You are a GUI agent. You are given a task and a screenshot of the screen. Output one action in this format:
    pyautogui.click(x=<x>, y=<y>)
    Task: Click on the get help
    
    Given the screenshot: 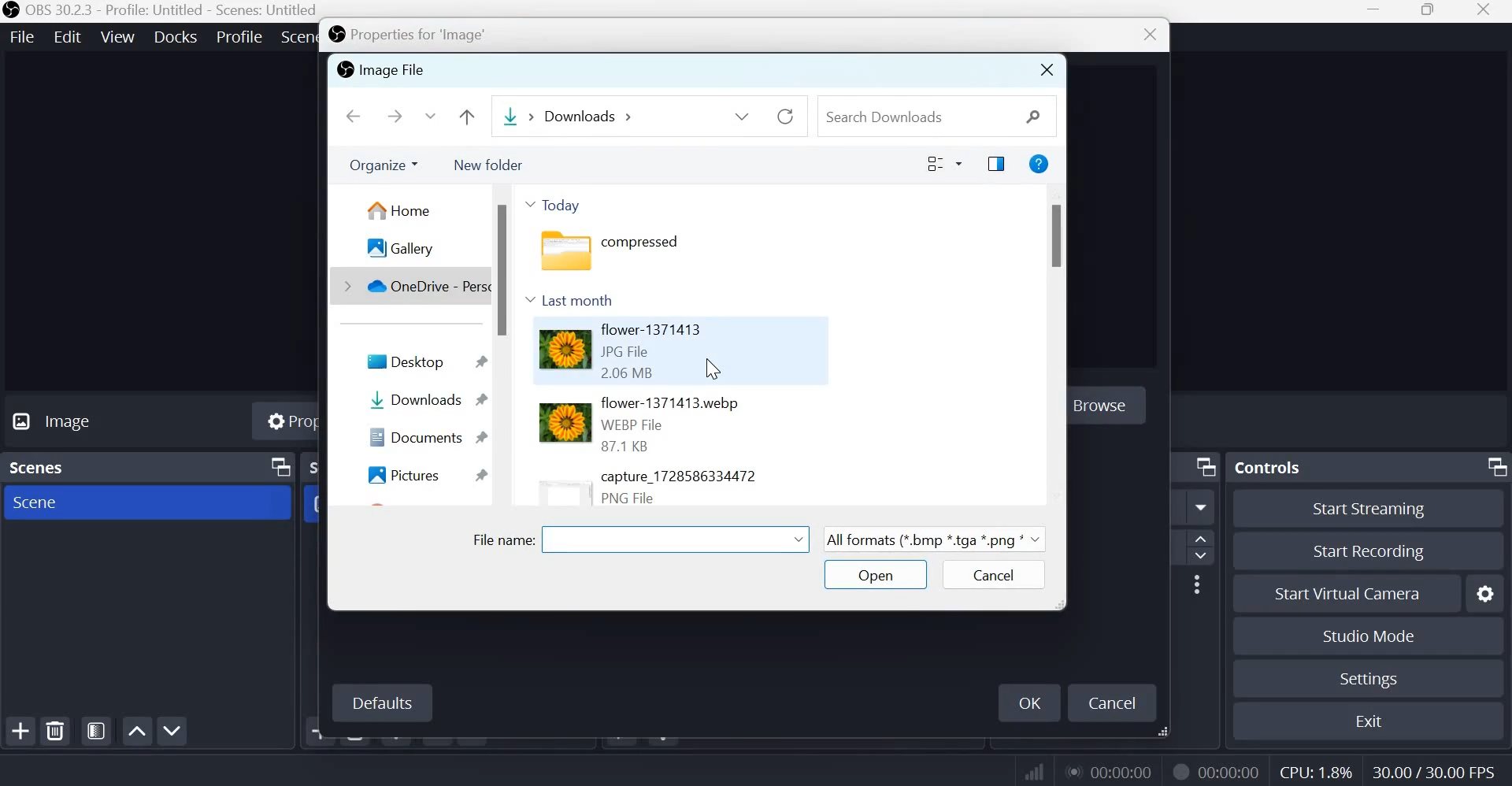 What is the action you would take?
    pyautogui.click(x=1038, y=165)
    